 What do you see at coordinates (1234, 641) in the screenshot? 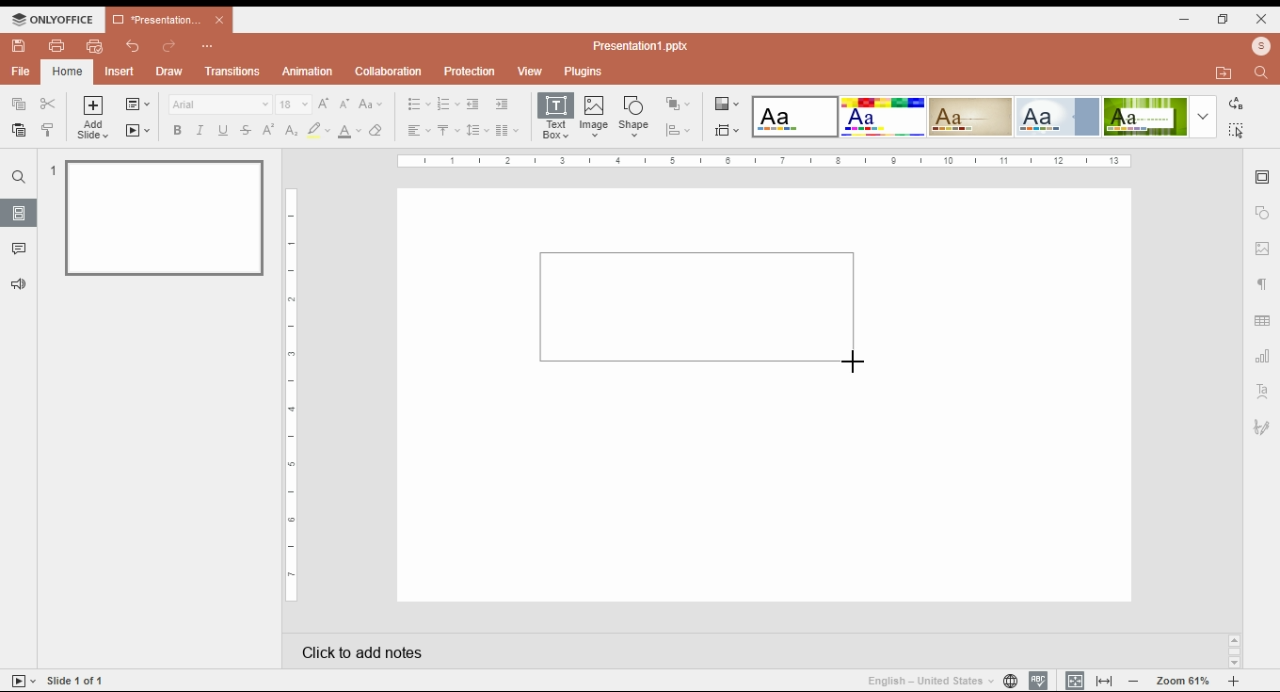
I see `scroll up` at bounding box center [1234, 641].